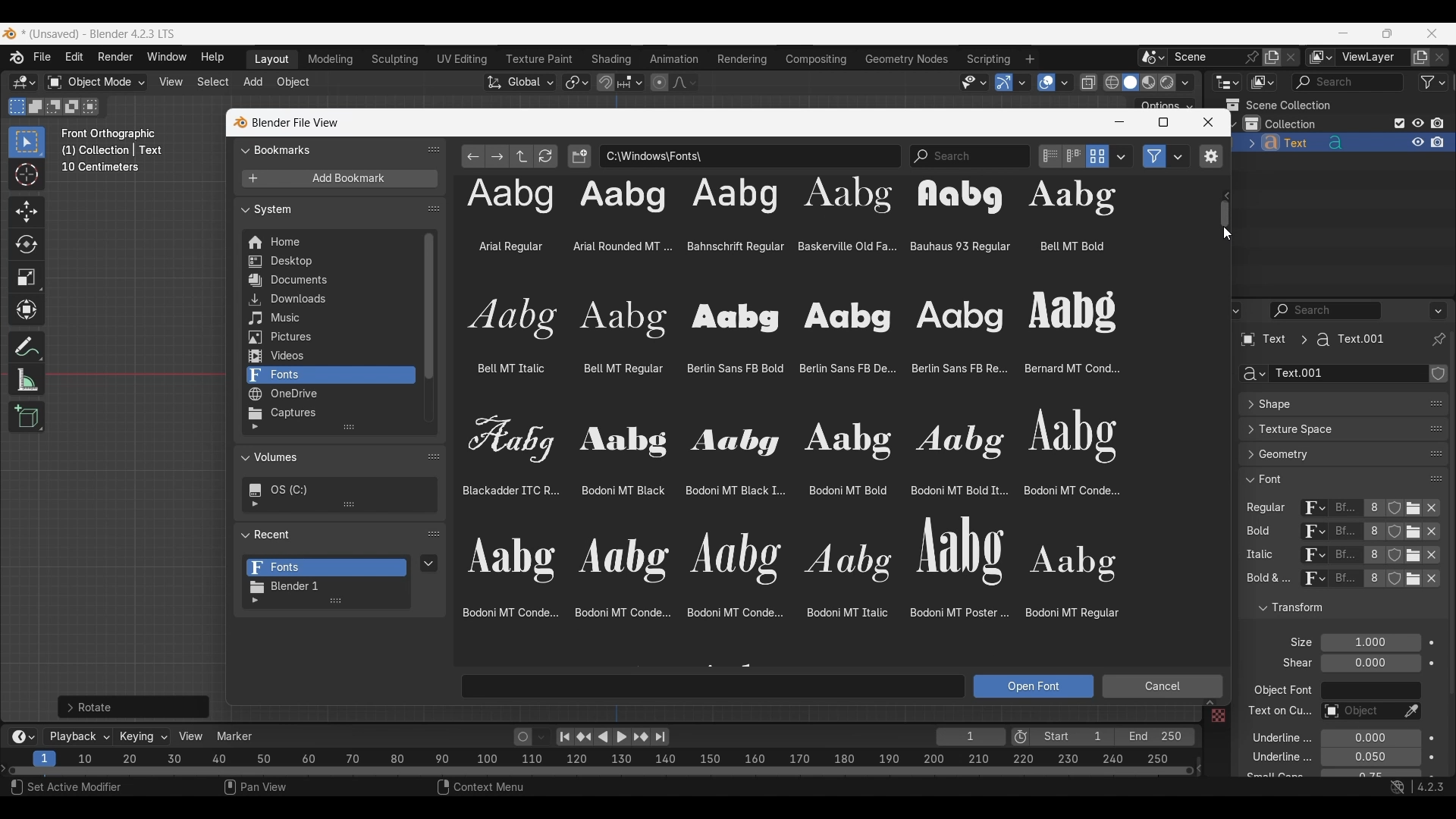  I want to click on Documents folder, so click(329, 281).